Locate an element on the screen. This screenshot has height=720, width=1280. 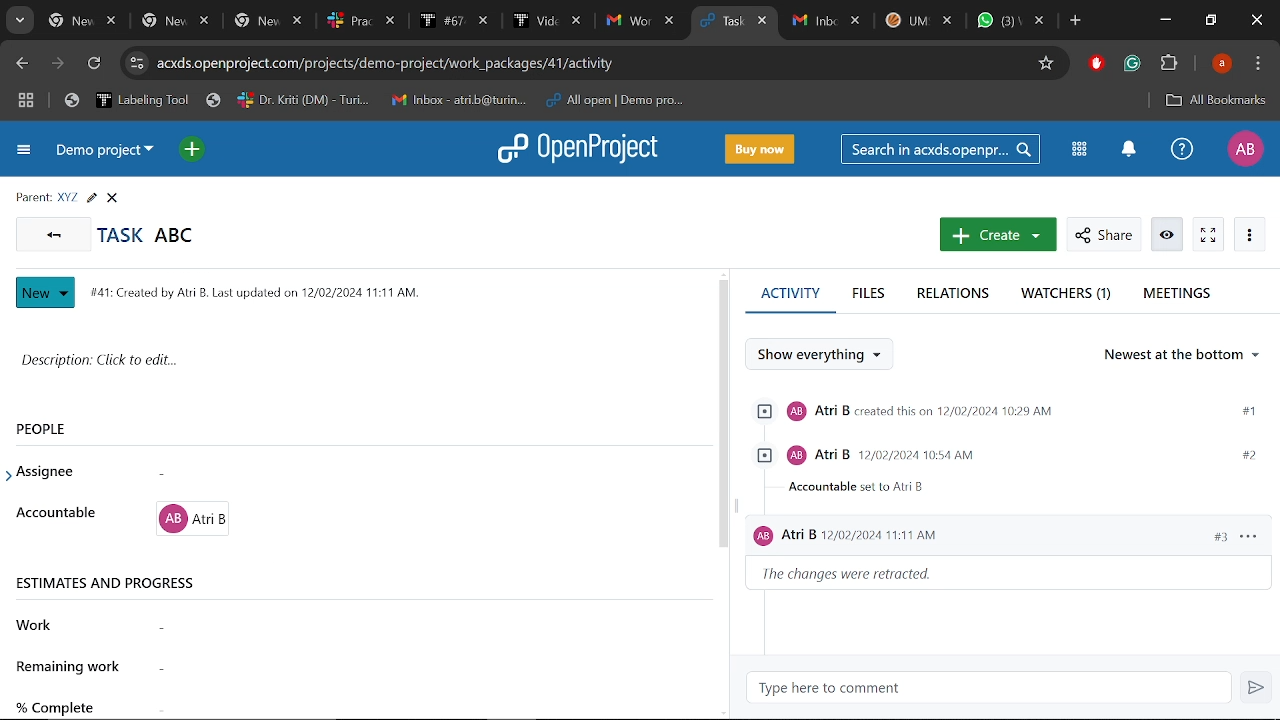
Work is located at coordinates (44, 625).